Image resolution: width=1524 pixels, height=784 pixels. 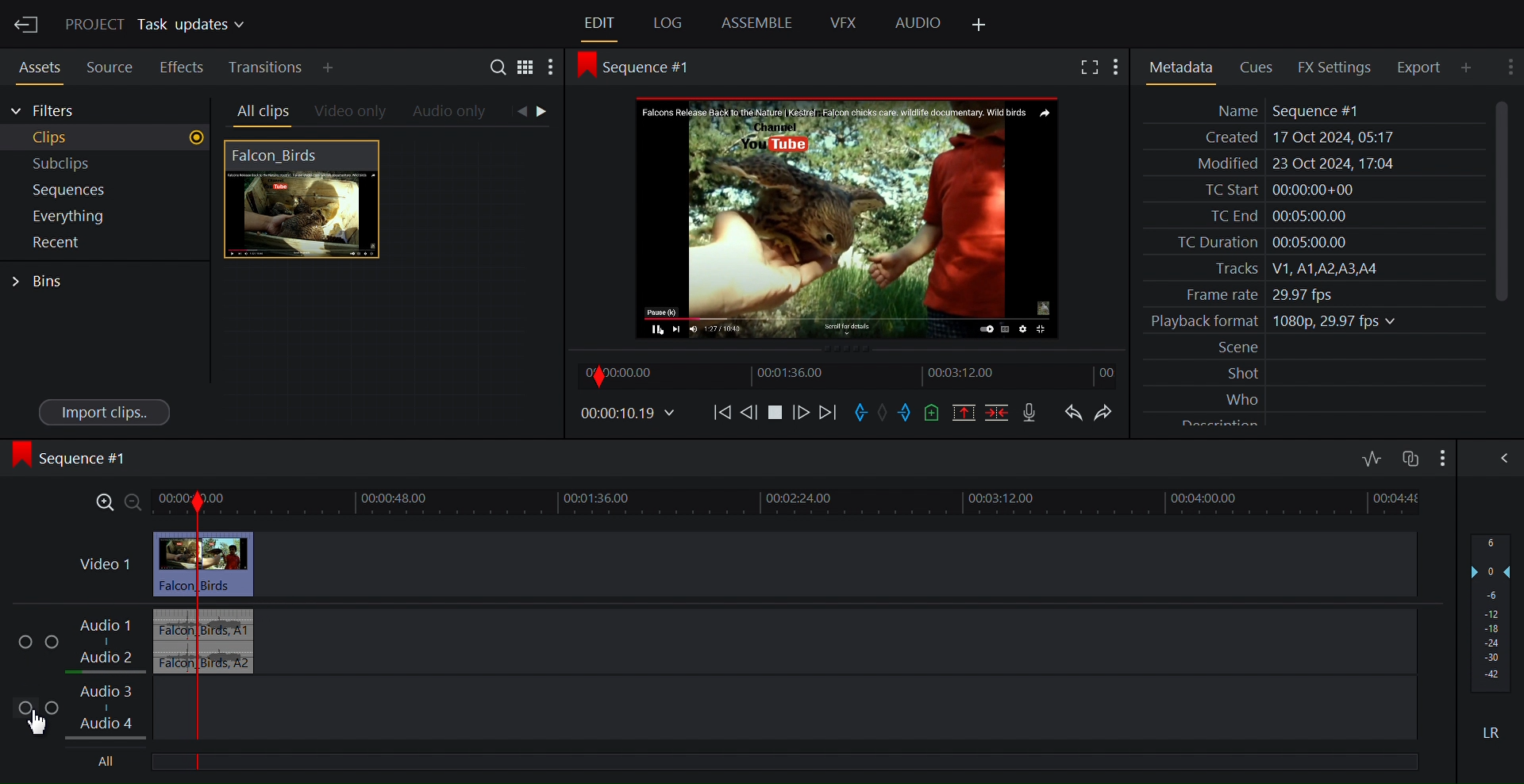 What do you see at coordinates (103, 216) in the screenshot?
I see `Show everything in the current project` at bounding box center [103, 216].